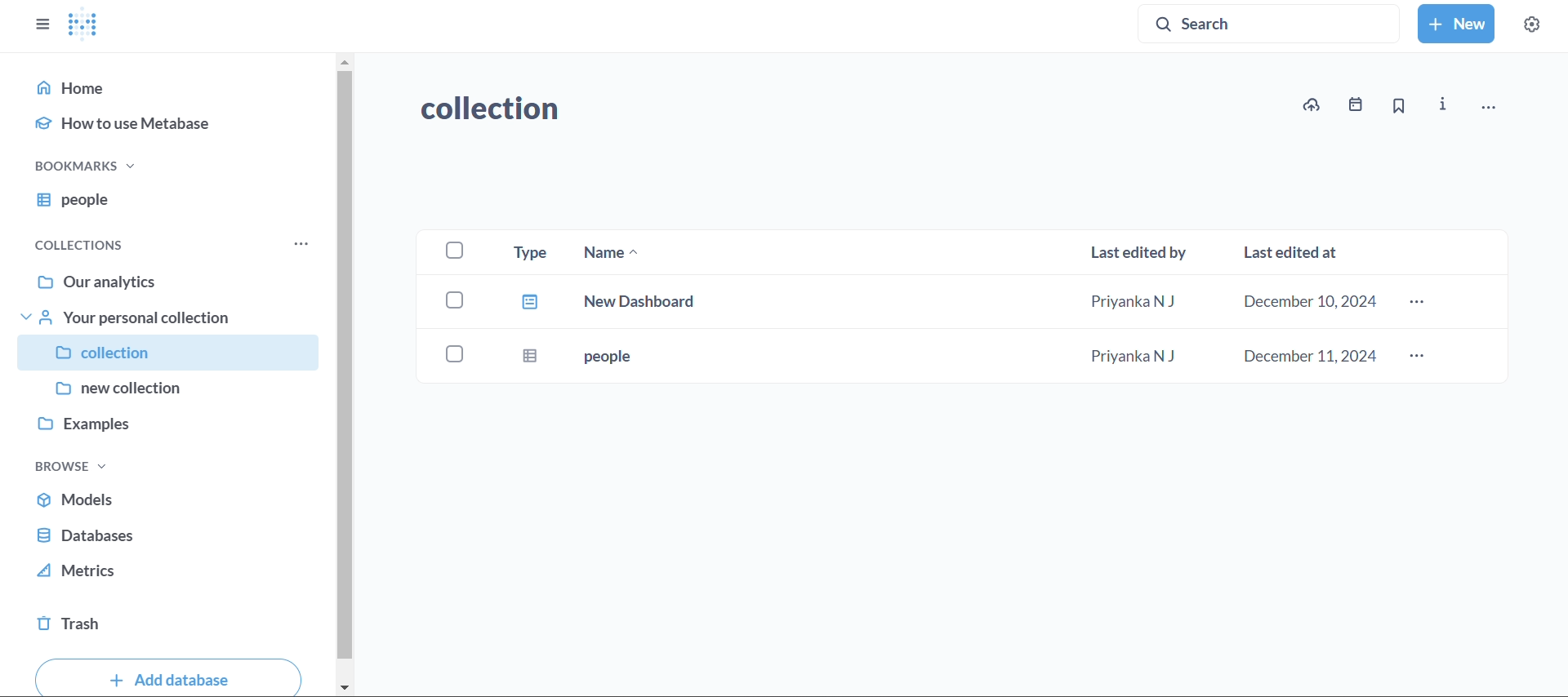  What do you see at coordinates (162, 391) in the screenshot?
I see `new collection ` at bounding box center [162, 391].